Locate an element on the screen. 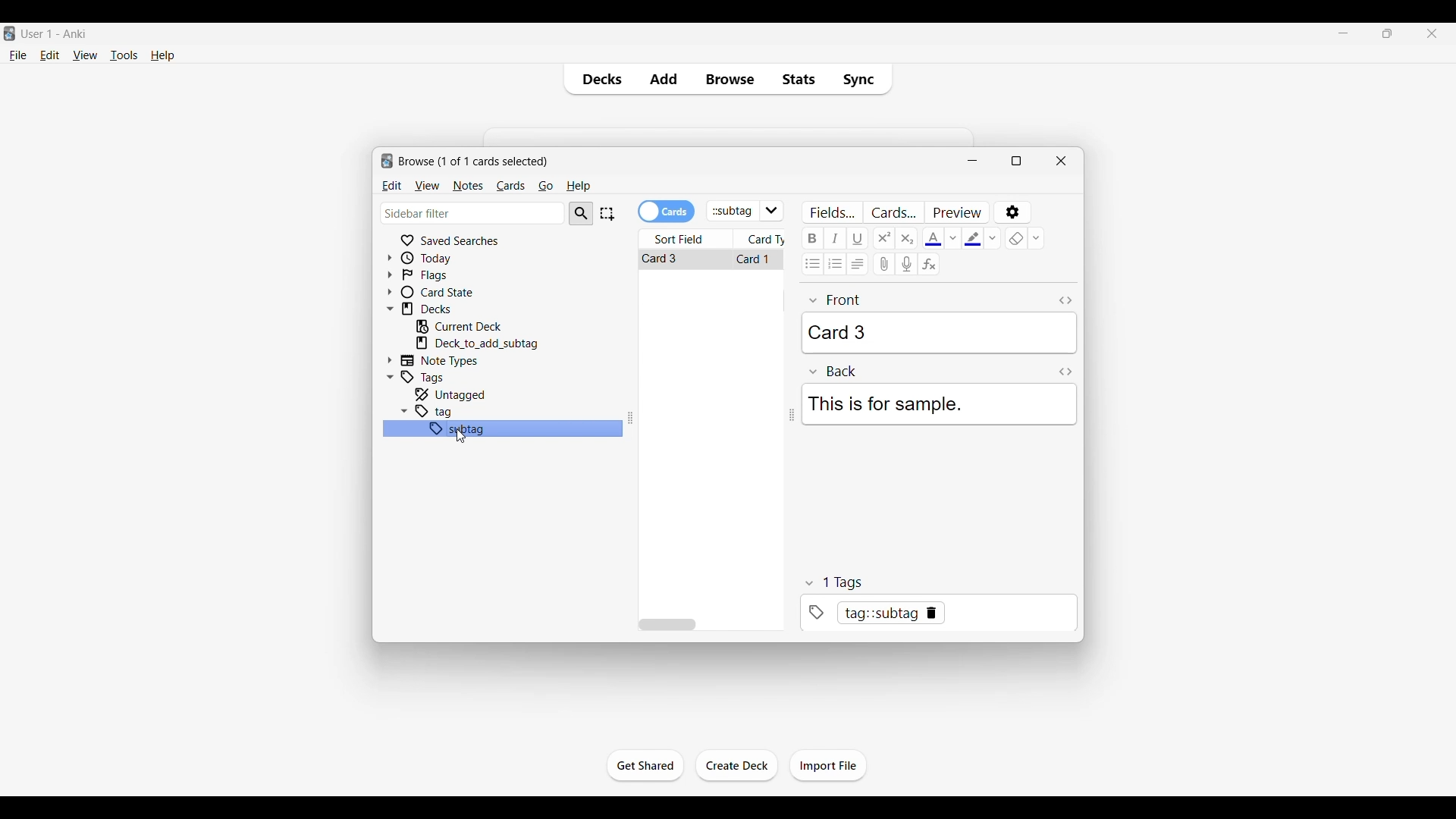  Horizontal slide bar is located at coordinates (667, 625).